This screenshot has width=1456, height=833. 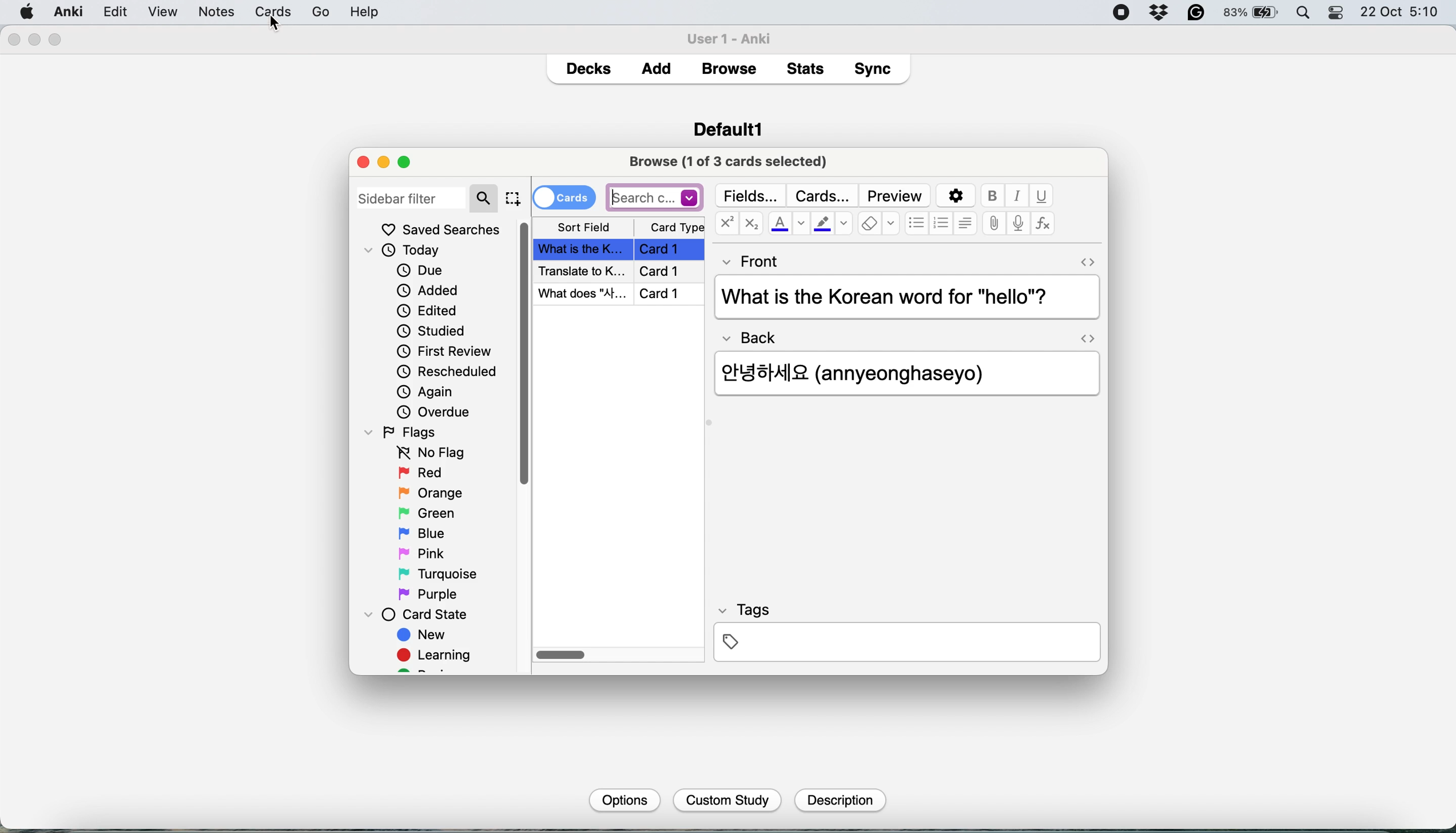 I want to click on stats, so click(x=809, y=68).